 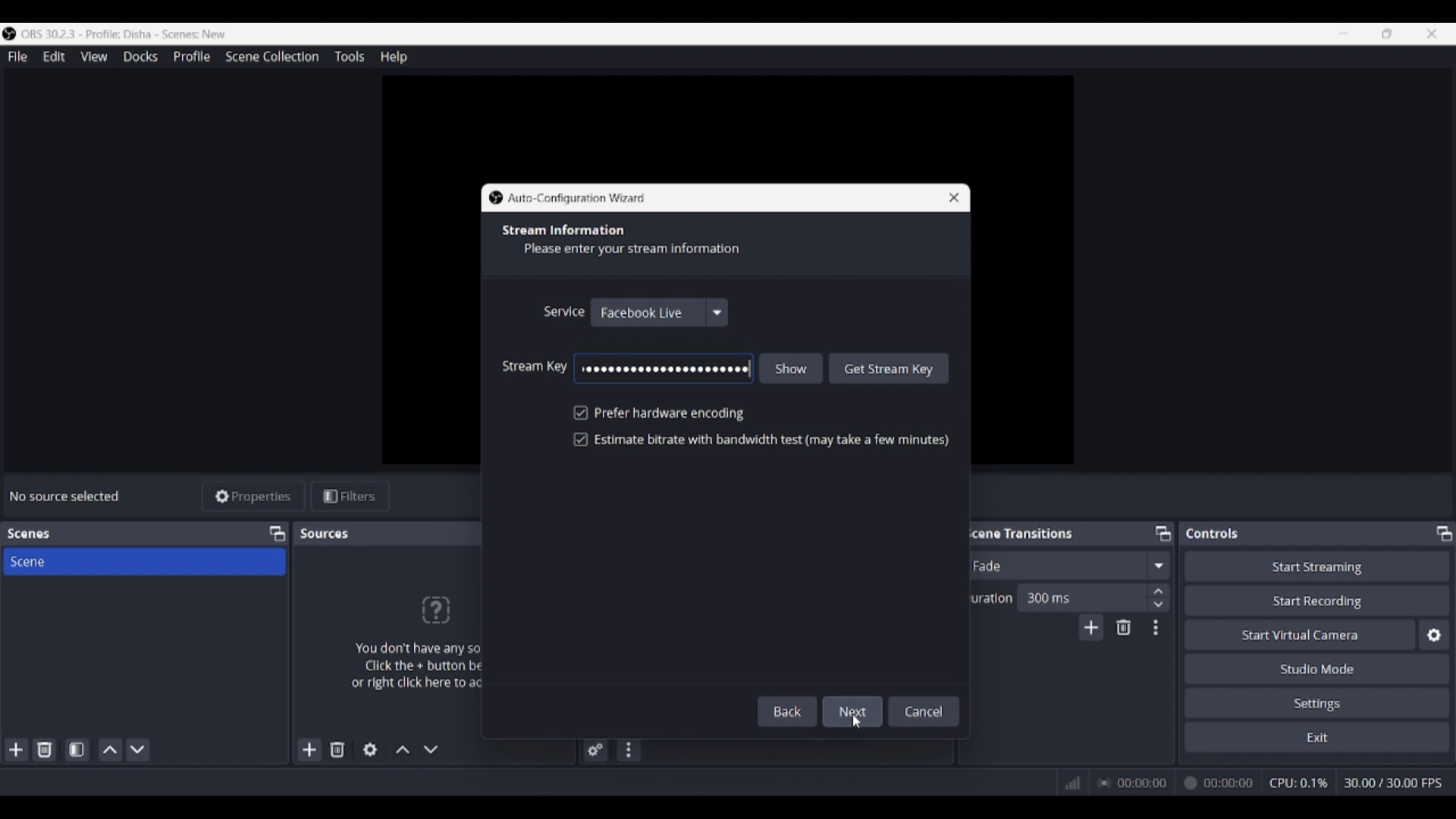 I want to click on Docks menu, so click(x=140, y=57).